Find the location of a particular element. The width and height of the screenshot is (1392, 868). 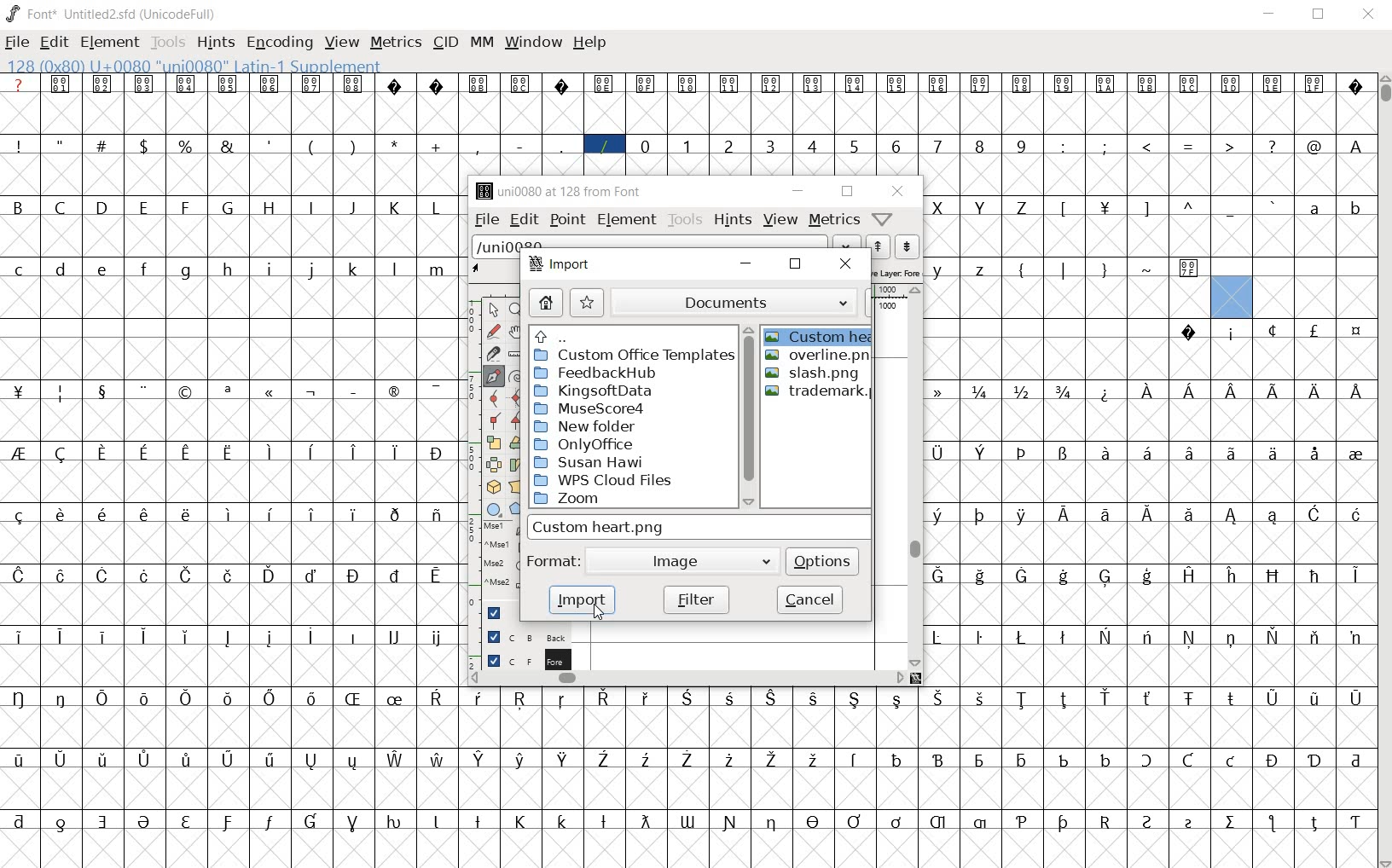

glyph is located at coordinates (311, 698).